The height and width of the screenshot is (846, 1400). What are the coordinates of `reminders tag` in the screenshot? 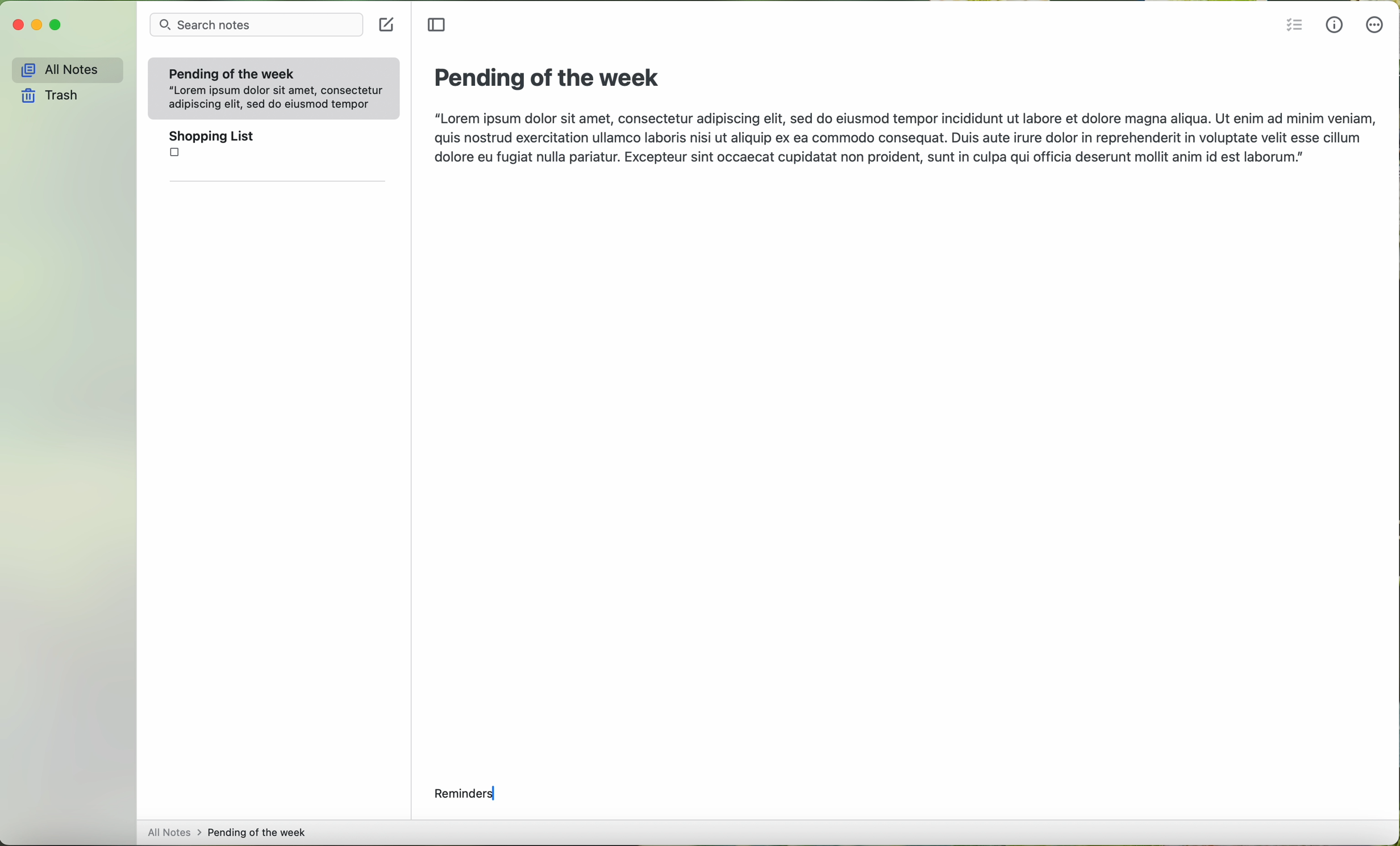 It's located at (469, 794).